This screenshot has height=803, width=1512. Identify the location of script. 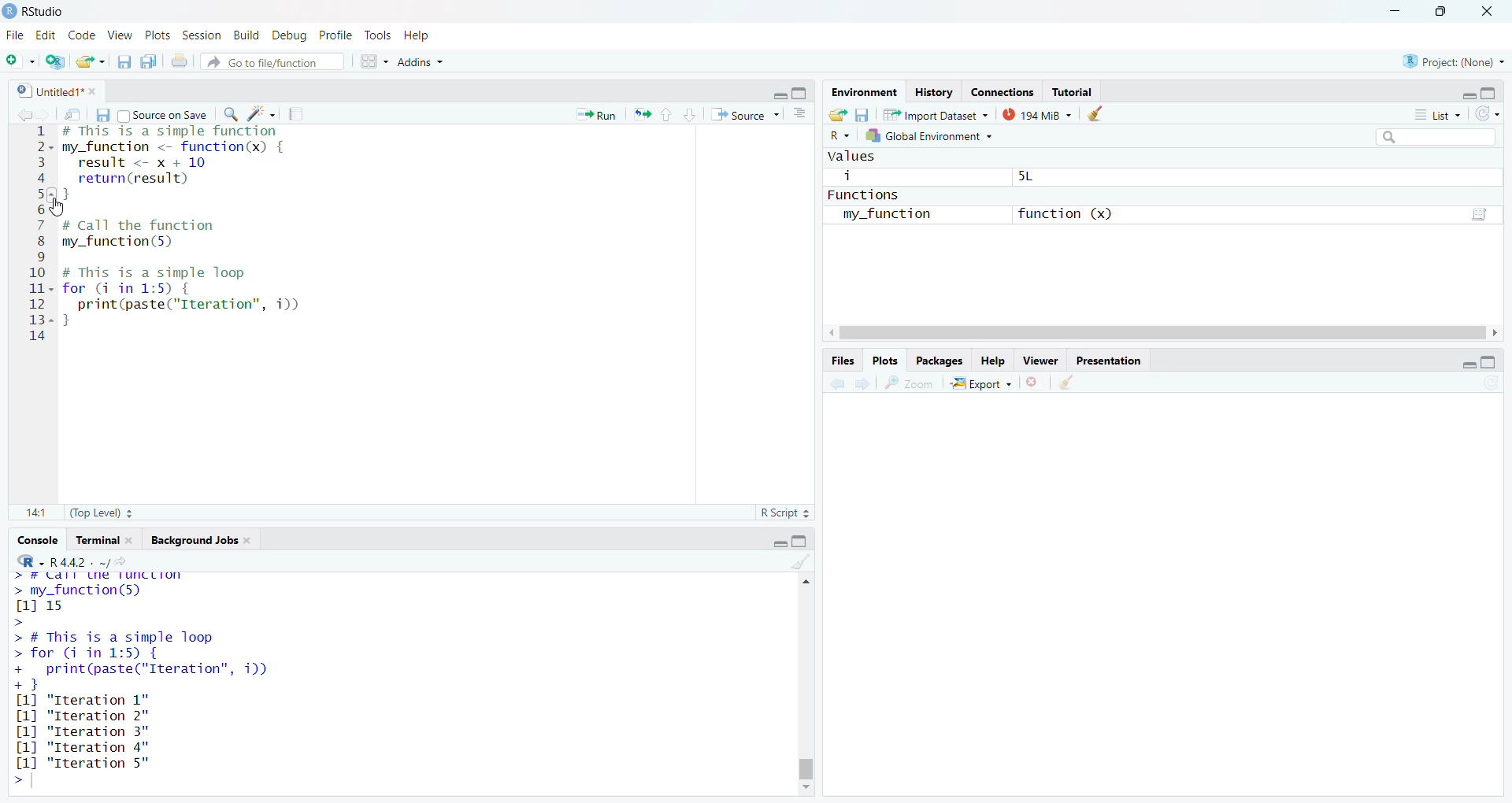
(1482, 212).